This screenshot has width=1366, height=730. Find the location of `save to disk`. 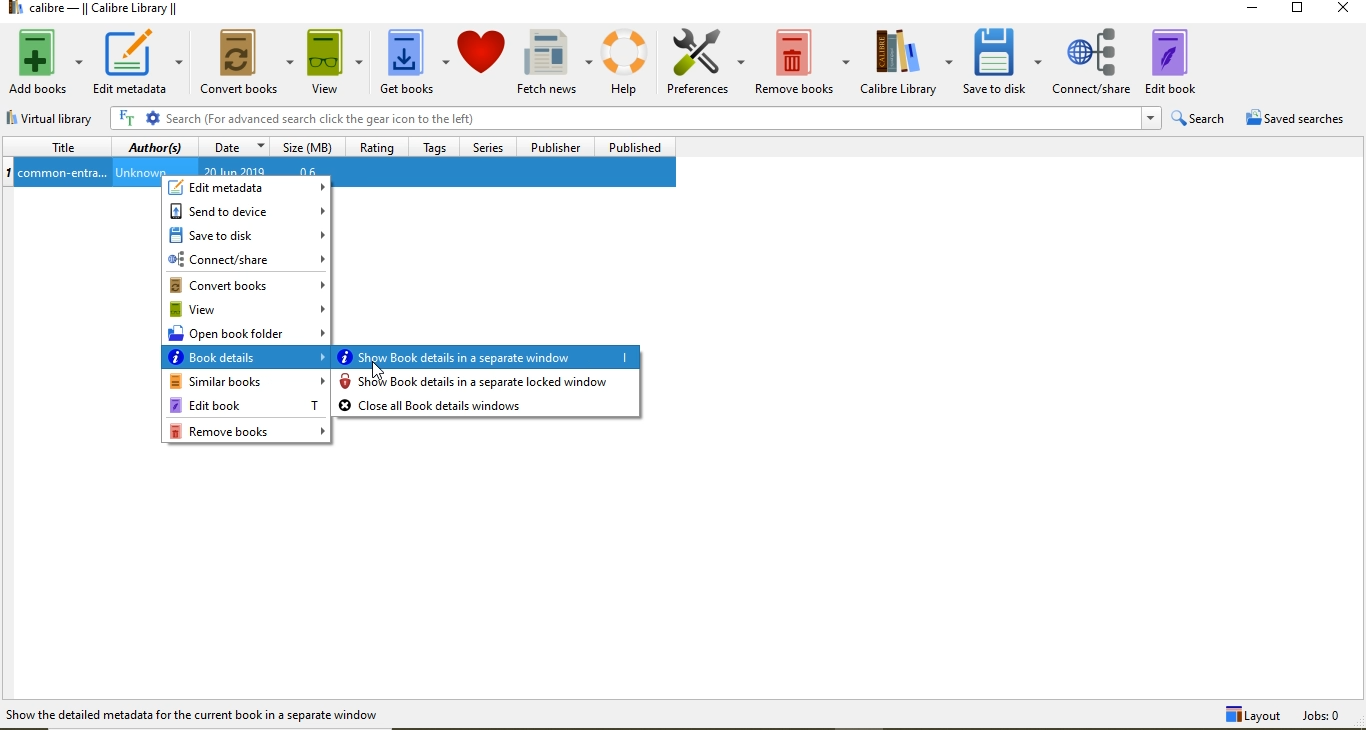

save to disk is located at coordinates (247, 234).